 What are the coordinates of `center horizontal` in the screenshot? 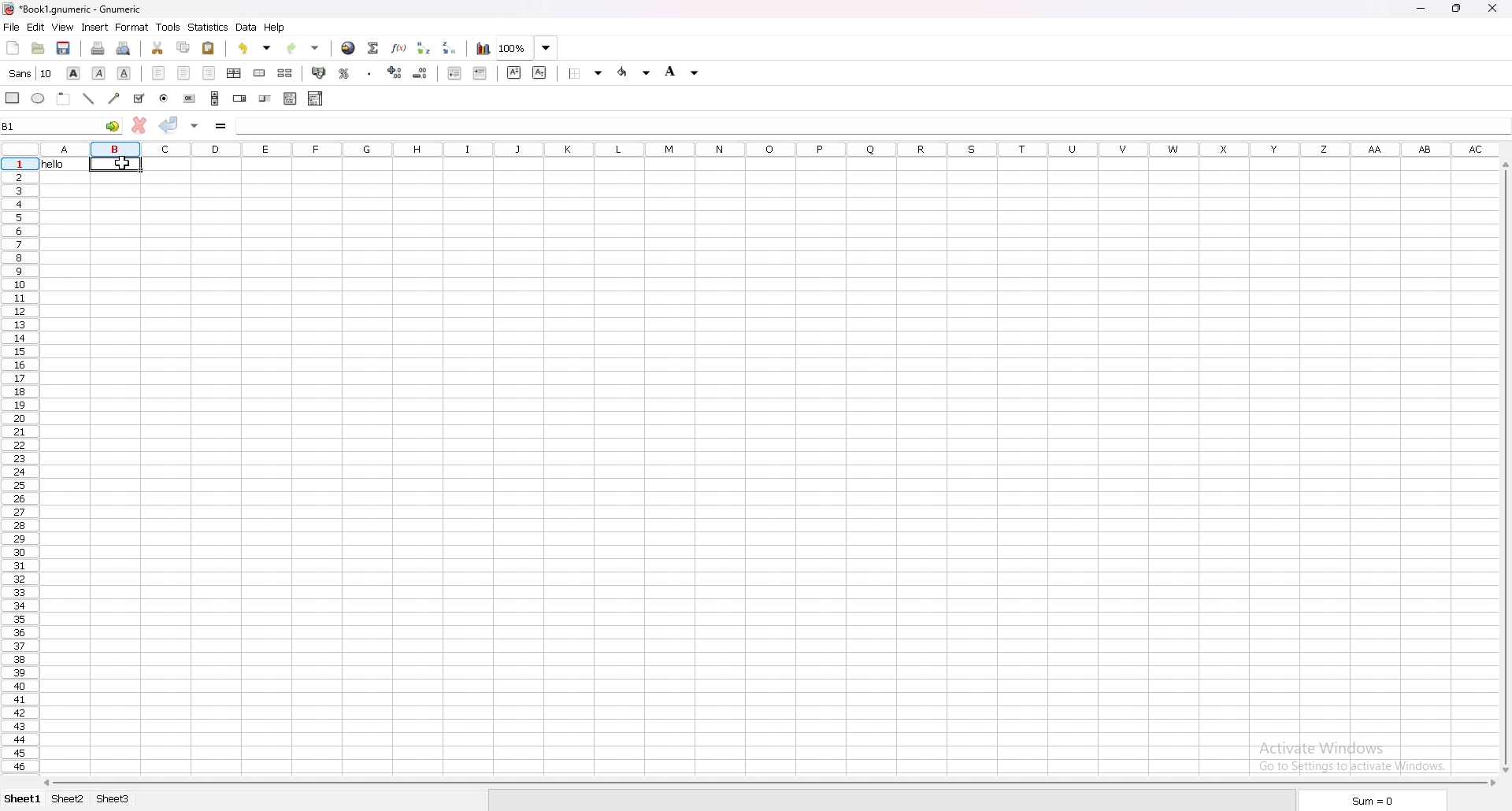 It's located at (235, 74).